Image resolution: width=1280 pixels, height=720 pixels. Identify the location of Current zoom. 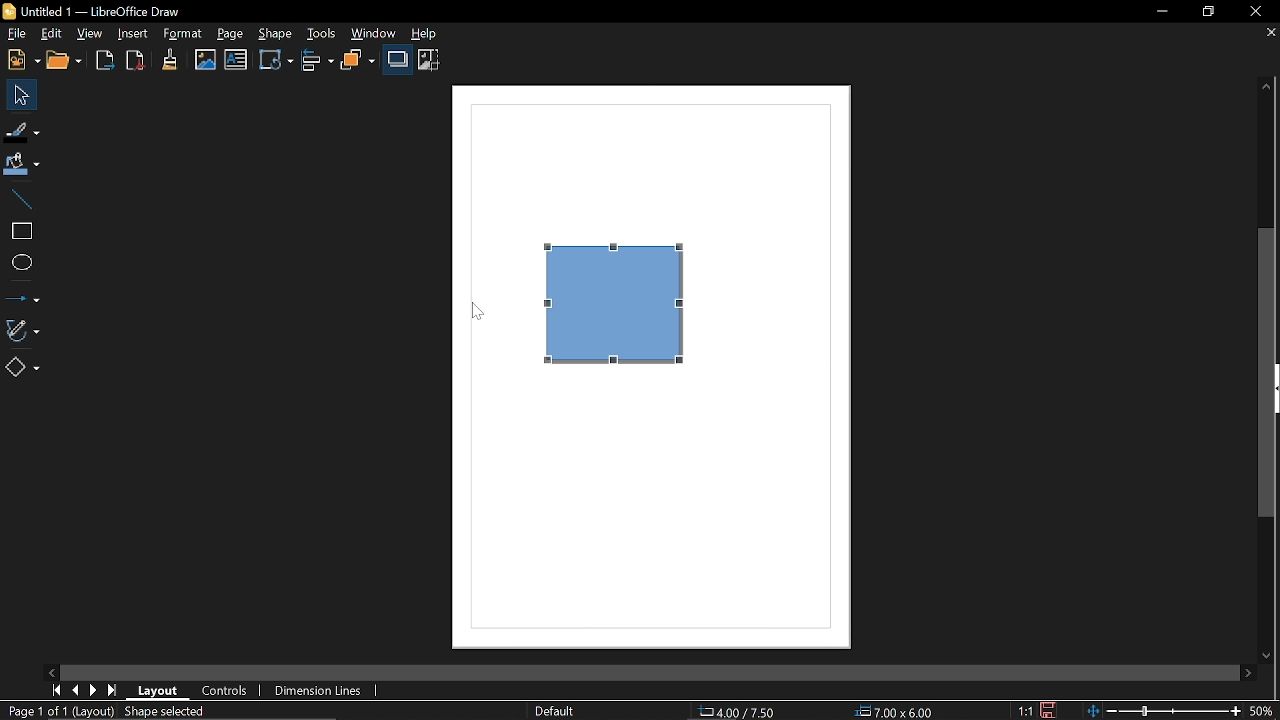
(1265, 711).